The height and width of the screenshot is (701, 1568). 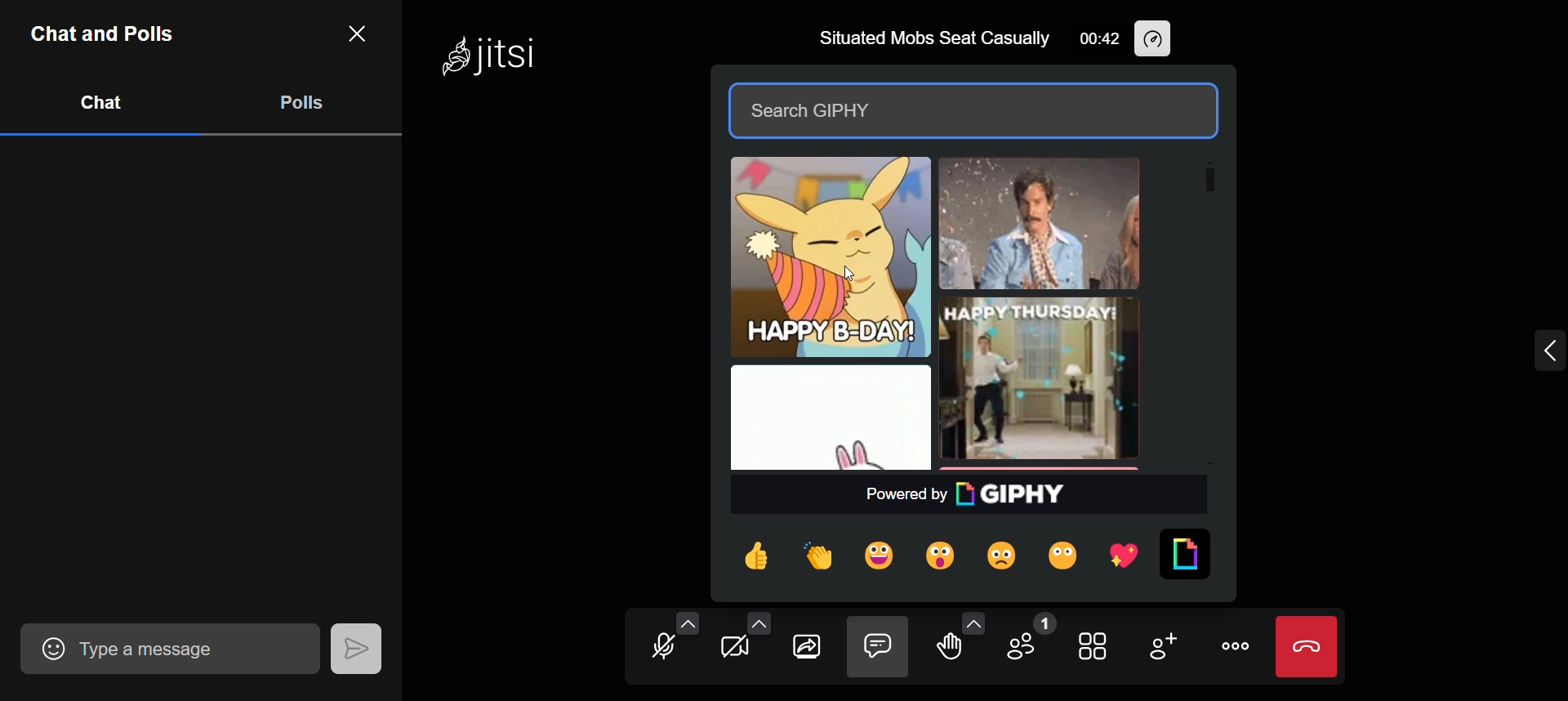 I want to click on invite people, so click(x=1160, y=642).